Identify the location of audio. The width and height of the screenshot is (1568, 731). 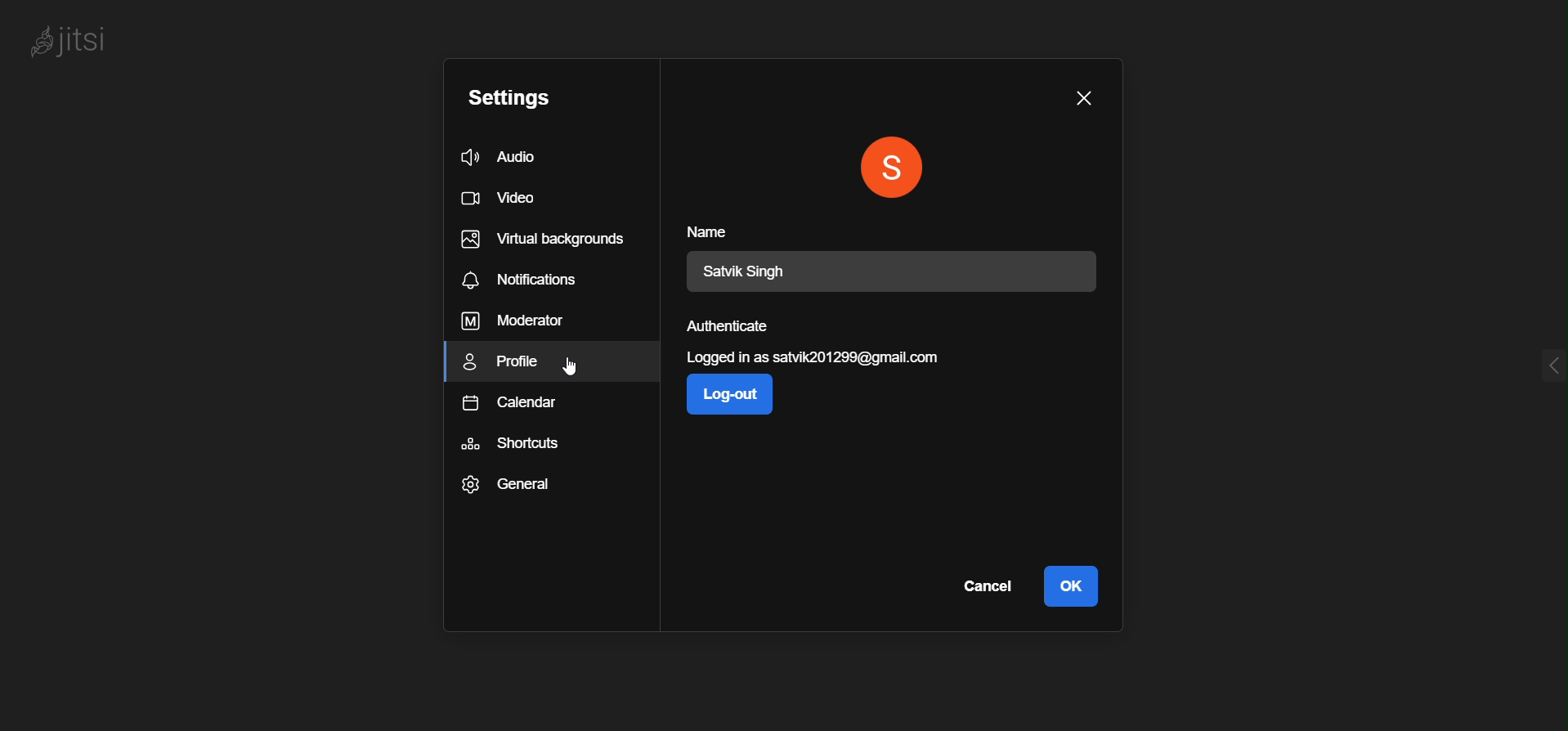
(520, 157).